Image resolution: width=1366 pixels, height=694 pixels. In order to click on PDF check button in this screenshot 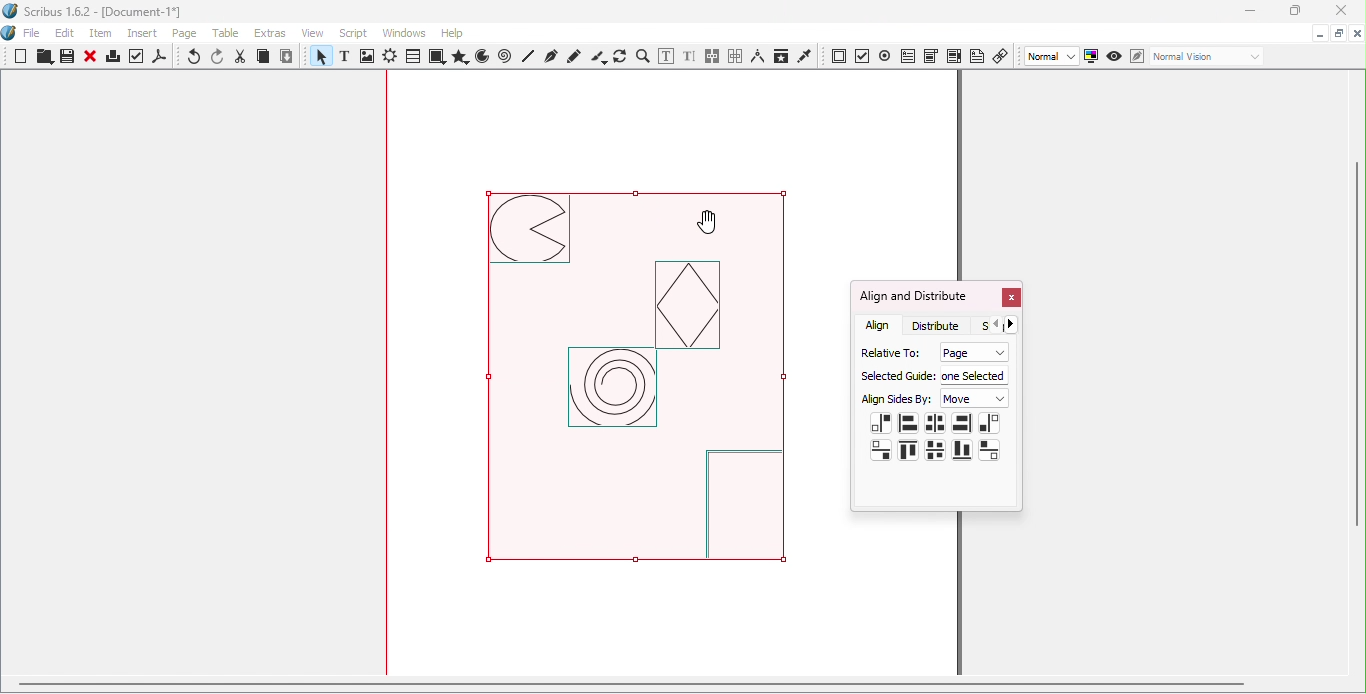, I will do `click(863, 55)`.